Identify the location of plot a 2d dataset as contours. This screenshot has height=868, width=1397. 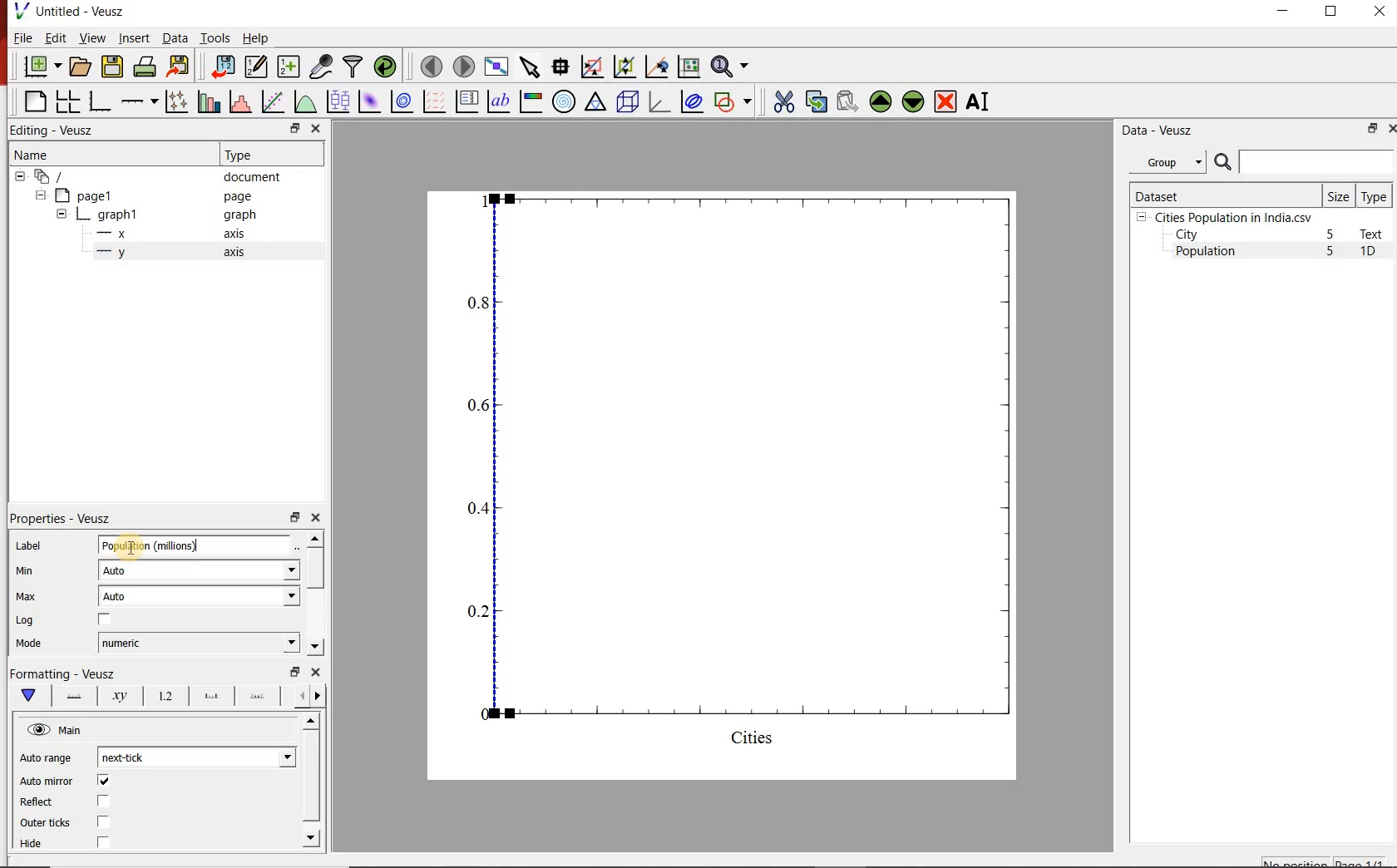
(400, 101).